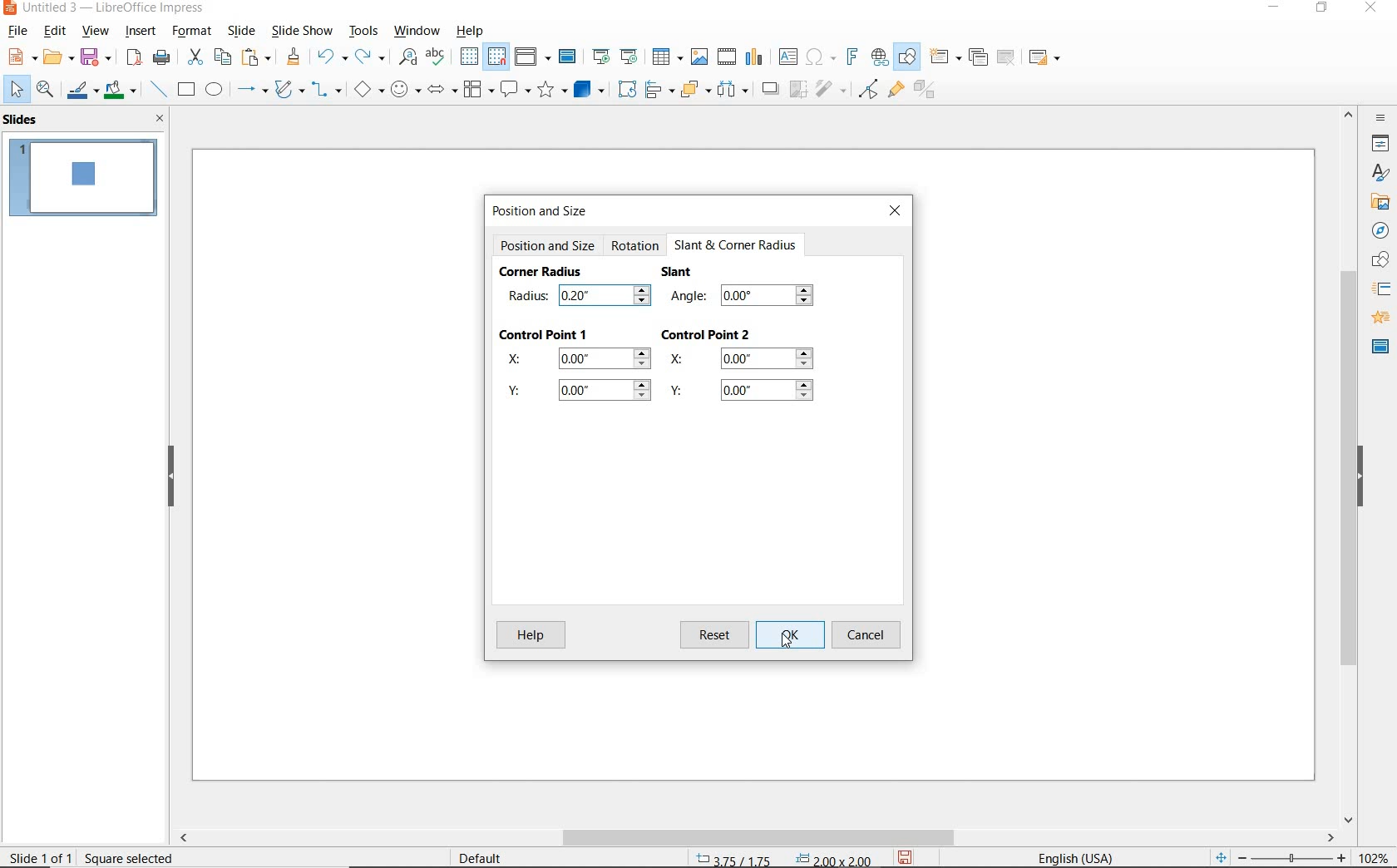 The width and height of the screenshot is (1397, 868). Describe the element at coordinates (330, 57) in the screenshot. I see `undo` at that location.